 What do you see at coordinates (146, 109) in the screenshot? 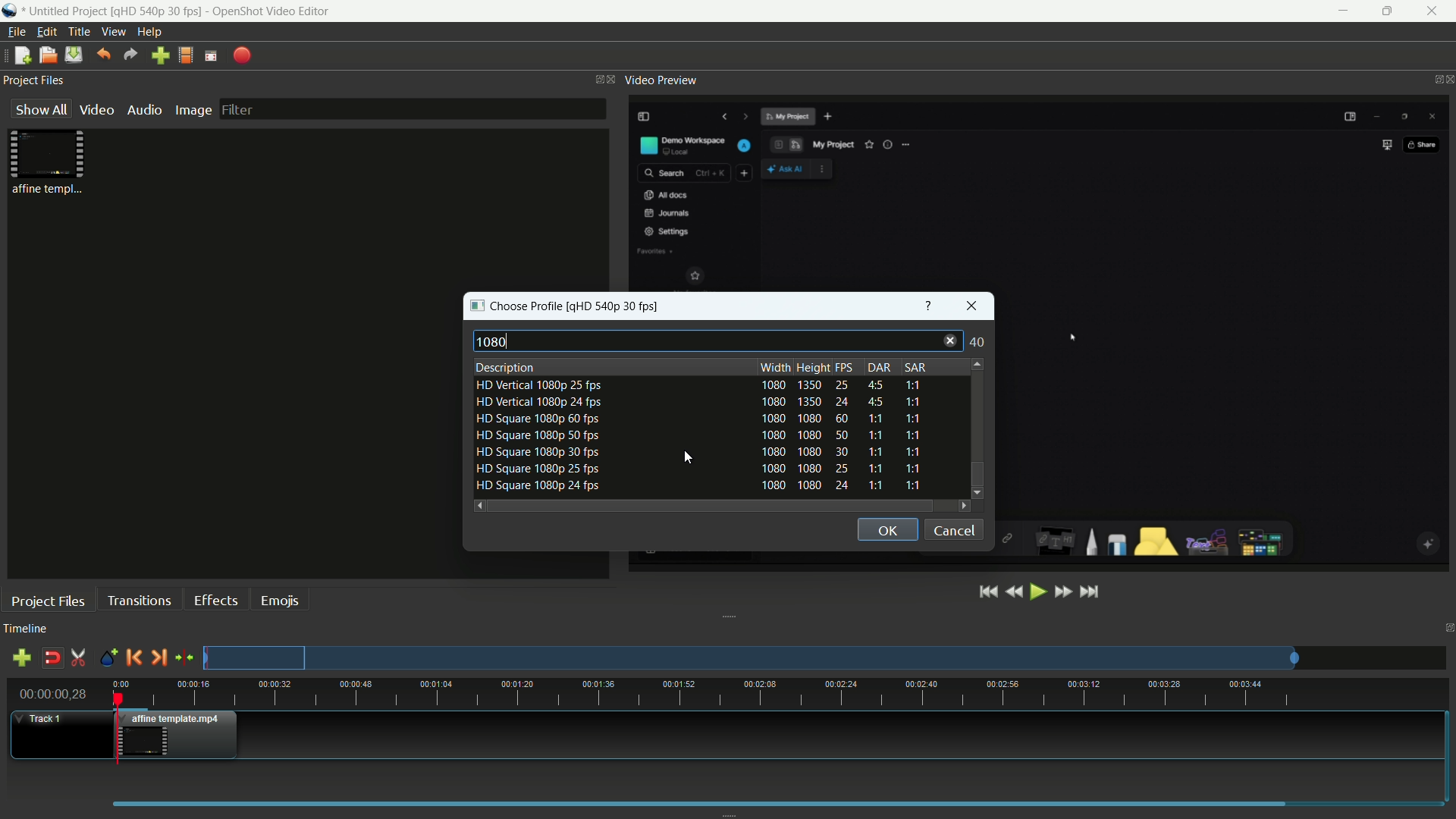
I see `audio` at bounding box center [146, 109].